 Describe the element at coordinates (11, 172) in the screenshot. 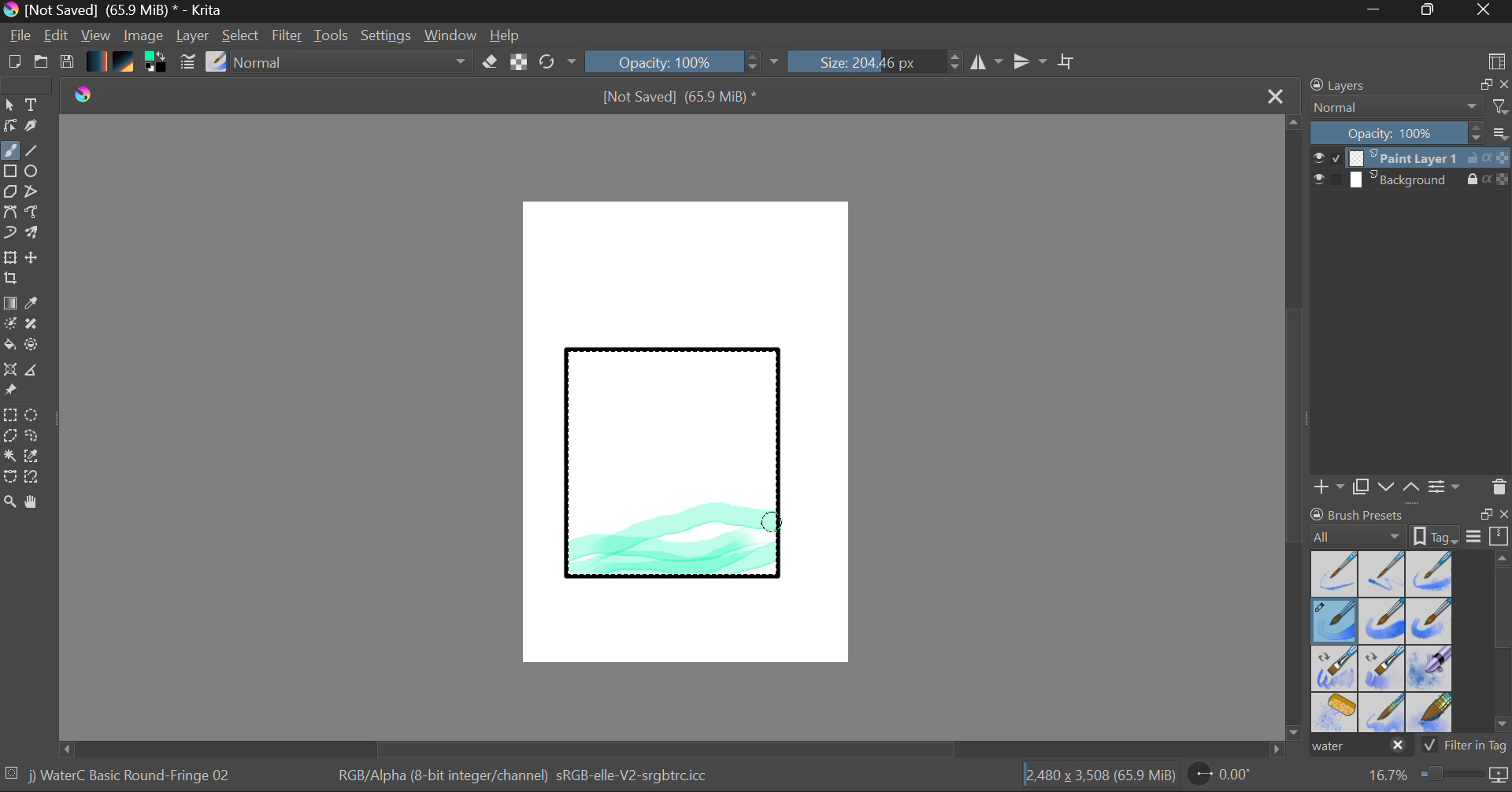

I see `Rectangle` at that location.